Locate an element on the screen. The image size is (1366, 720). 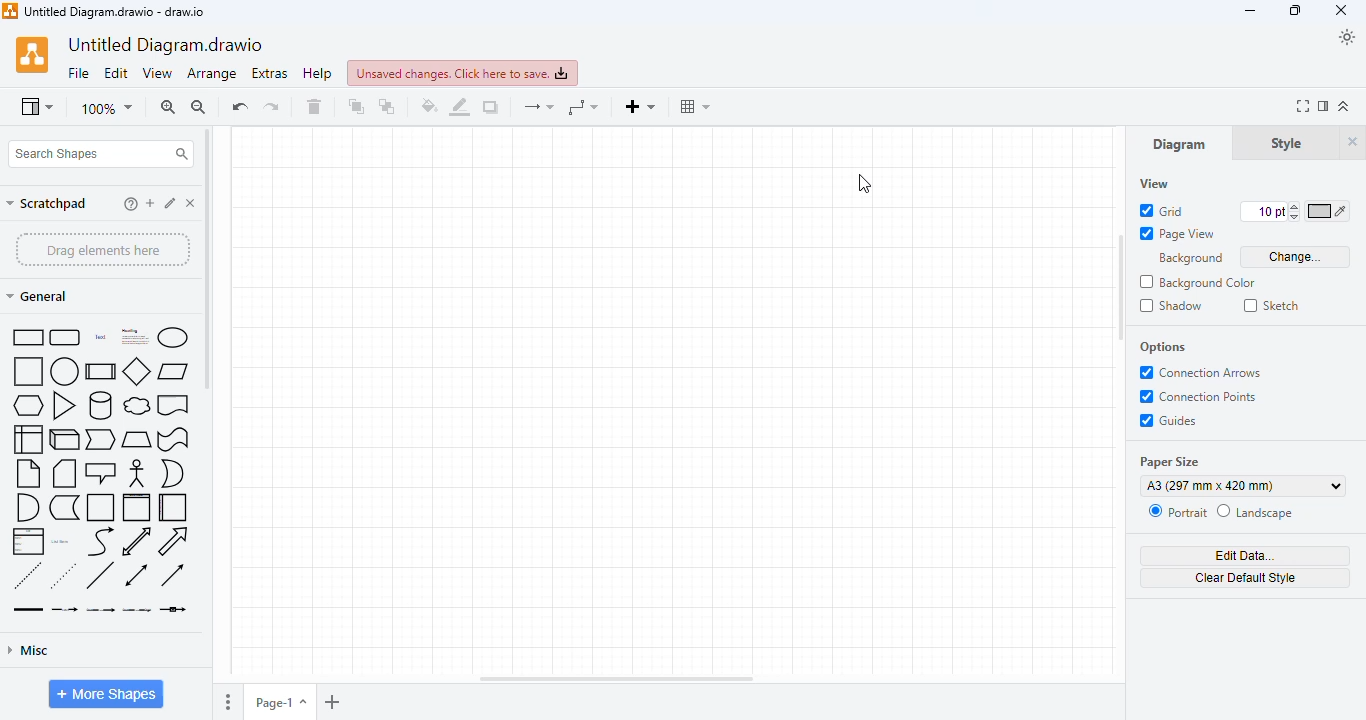
scratchpad is located at coordinates (47, 204).